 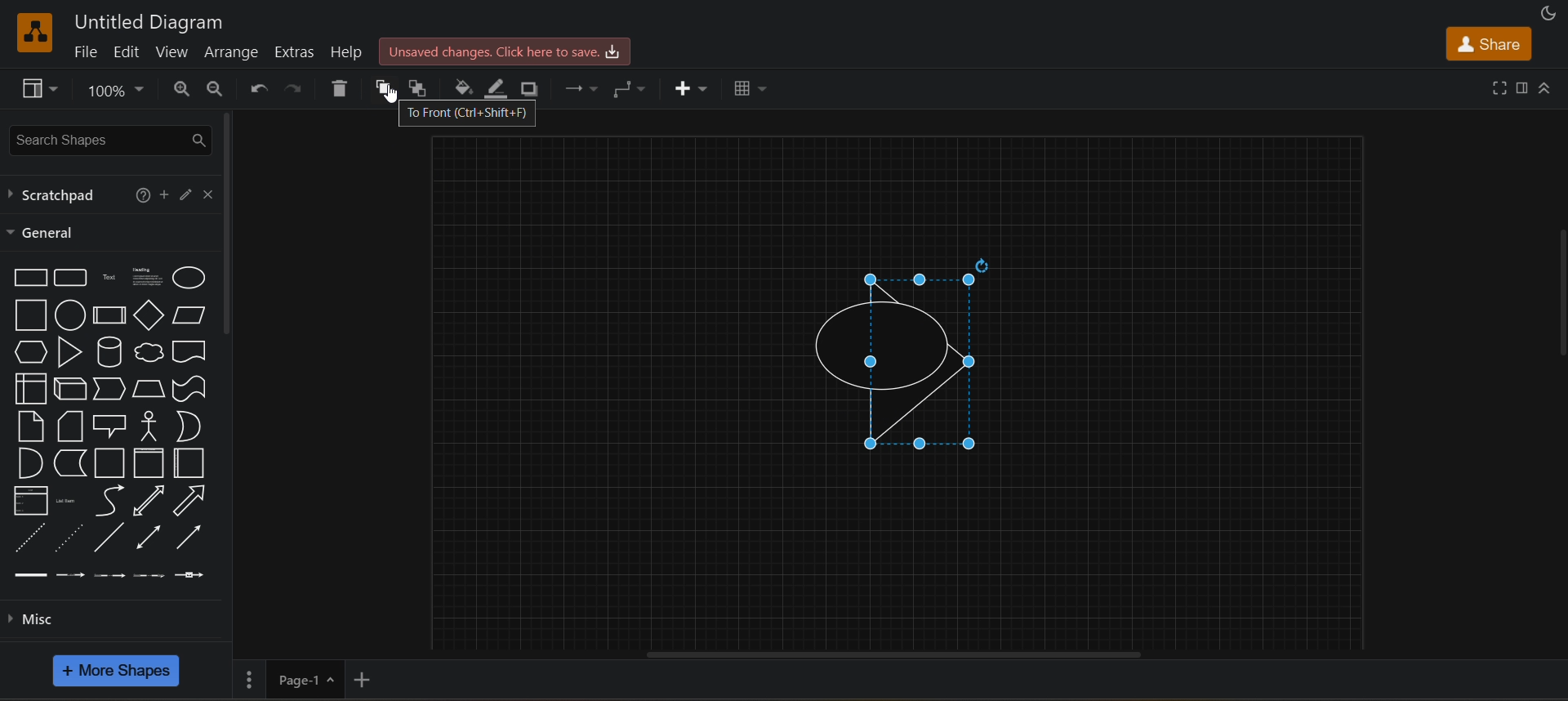 What do you see at coordinates (496, 89) in the screenshot?
I see `line color` at bounding box center [496, 89].